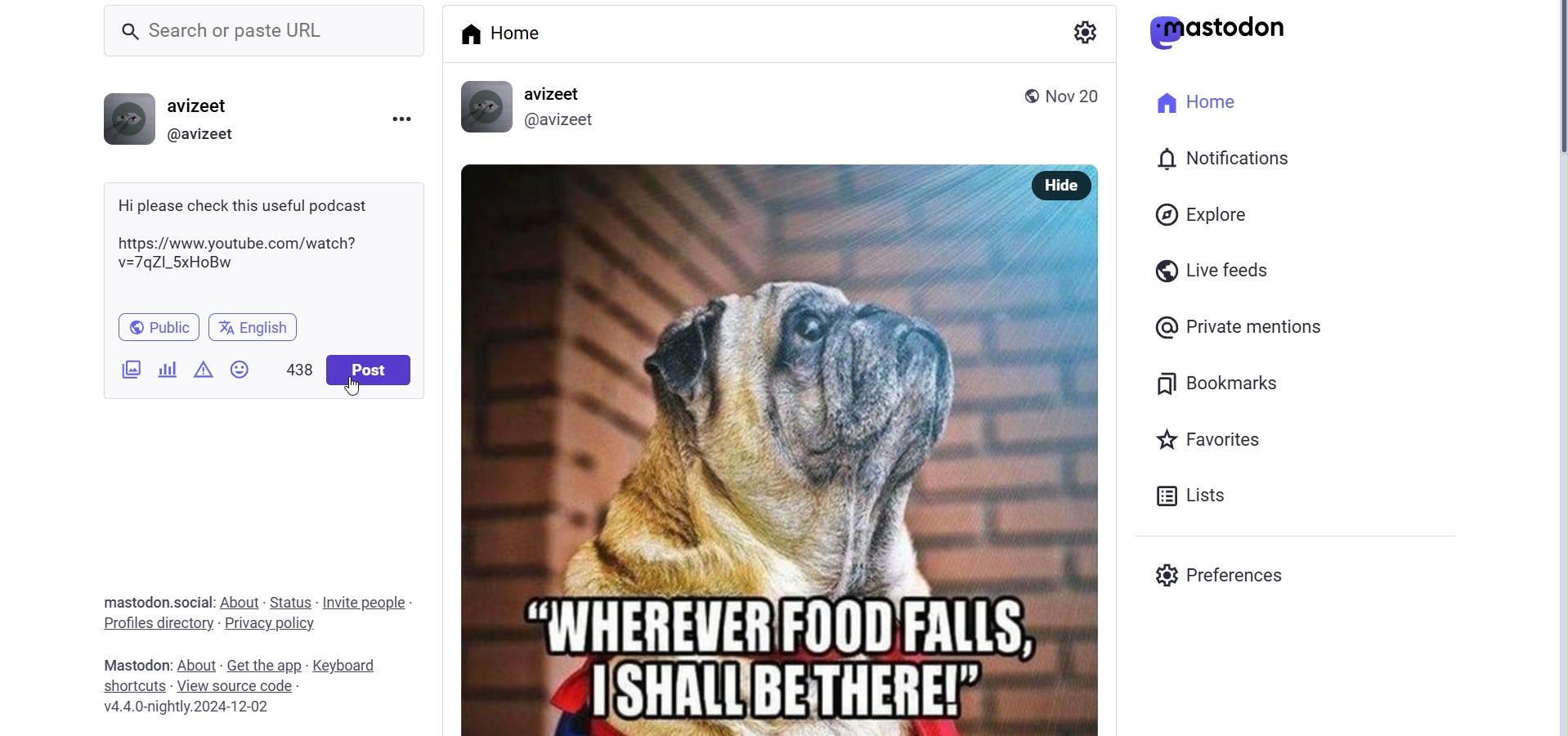  I want to click on about, so click(197, 664).